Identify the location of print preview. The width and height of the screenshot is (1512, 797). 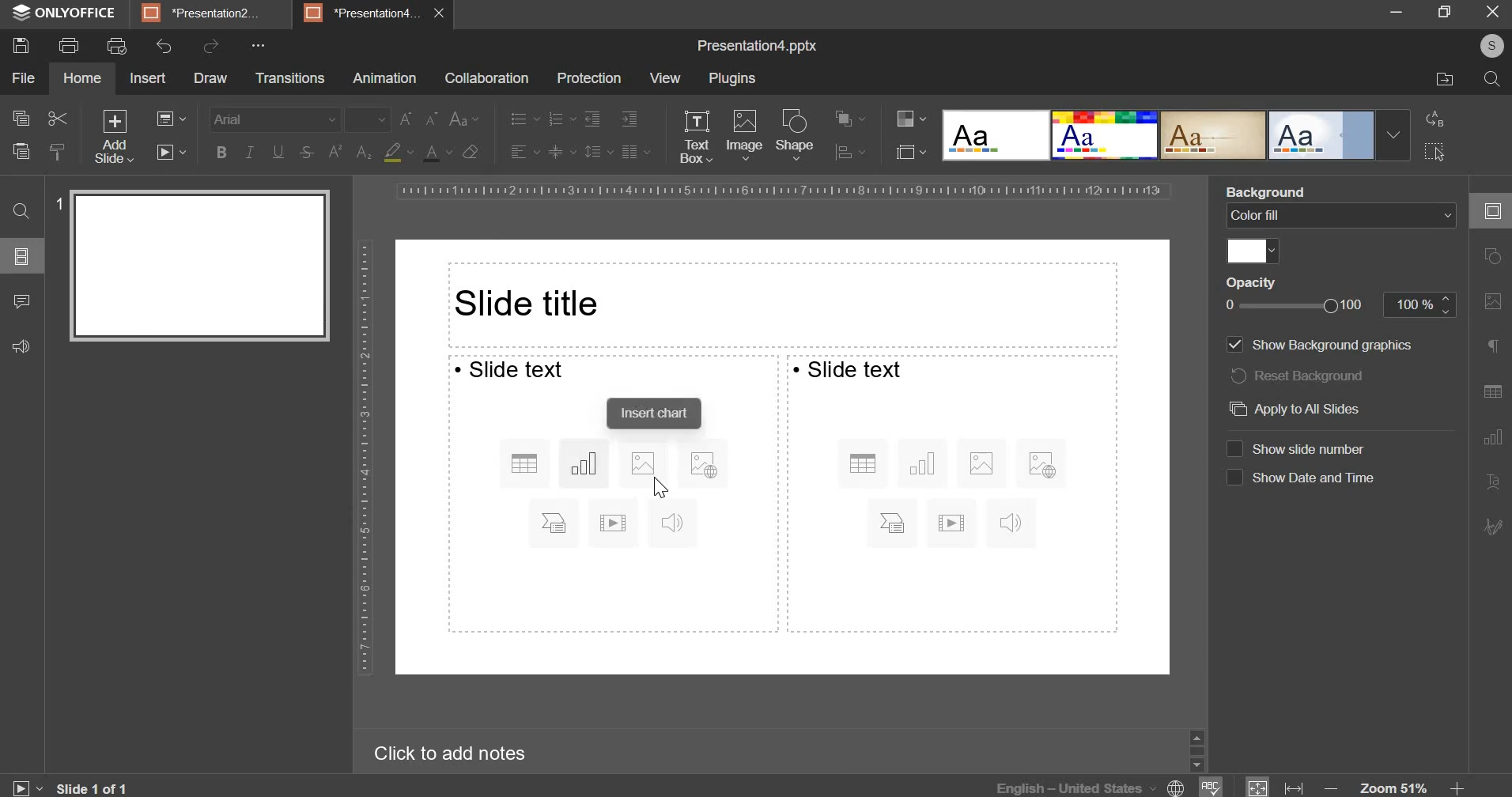
(116, 46).